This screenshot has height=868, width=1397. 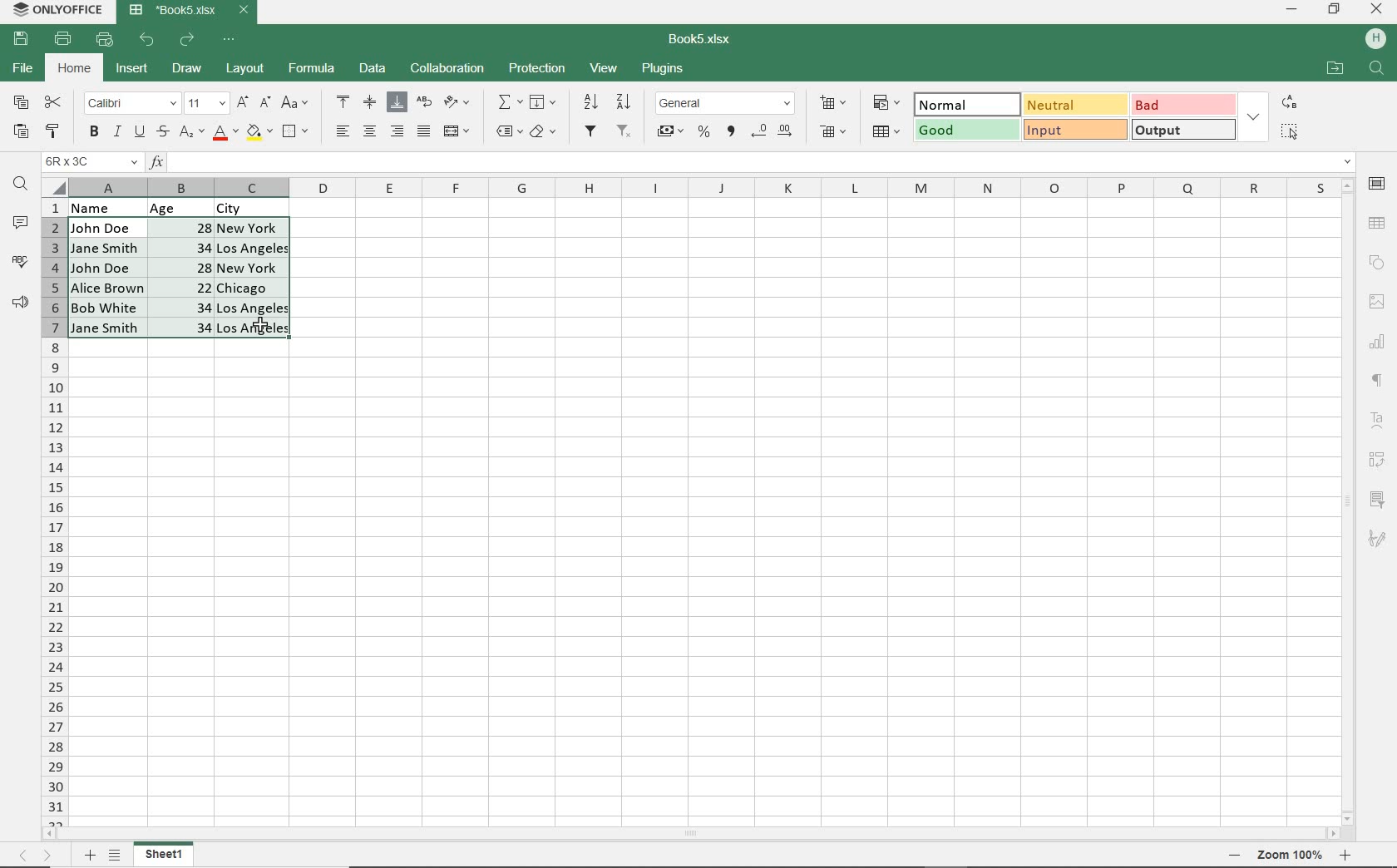 What do you see at coordinates (259, 131) in the screenshot?
I see `FILL COLOR` at bounding box center [259, 131].